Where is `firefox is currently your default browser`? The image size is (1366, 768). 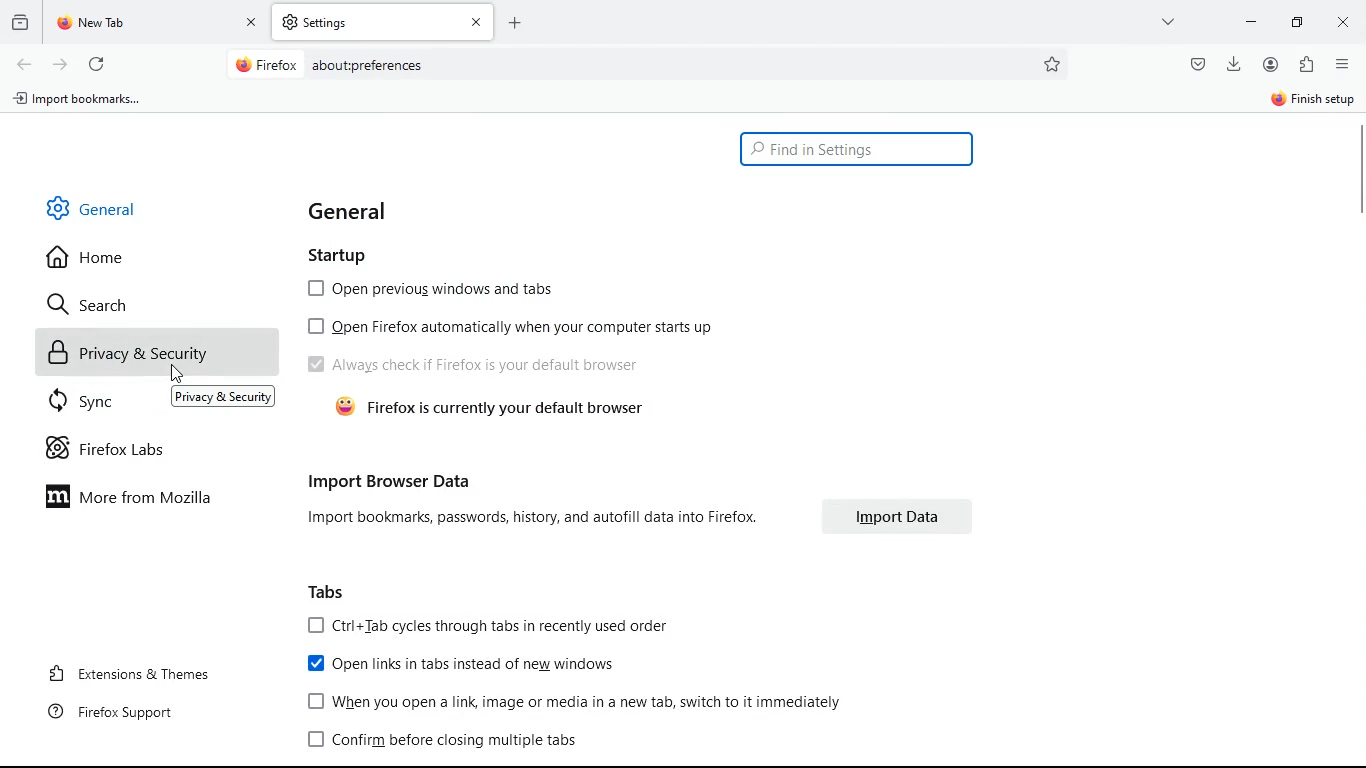 firefox is currently your default browser is located at coordinates (490, 404).